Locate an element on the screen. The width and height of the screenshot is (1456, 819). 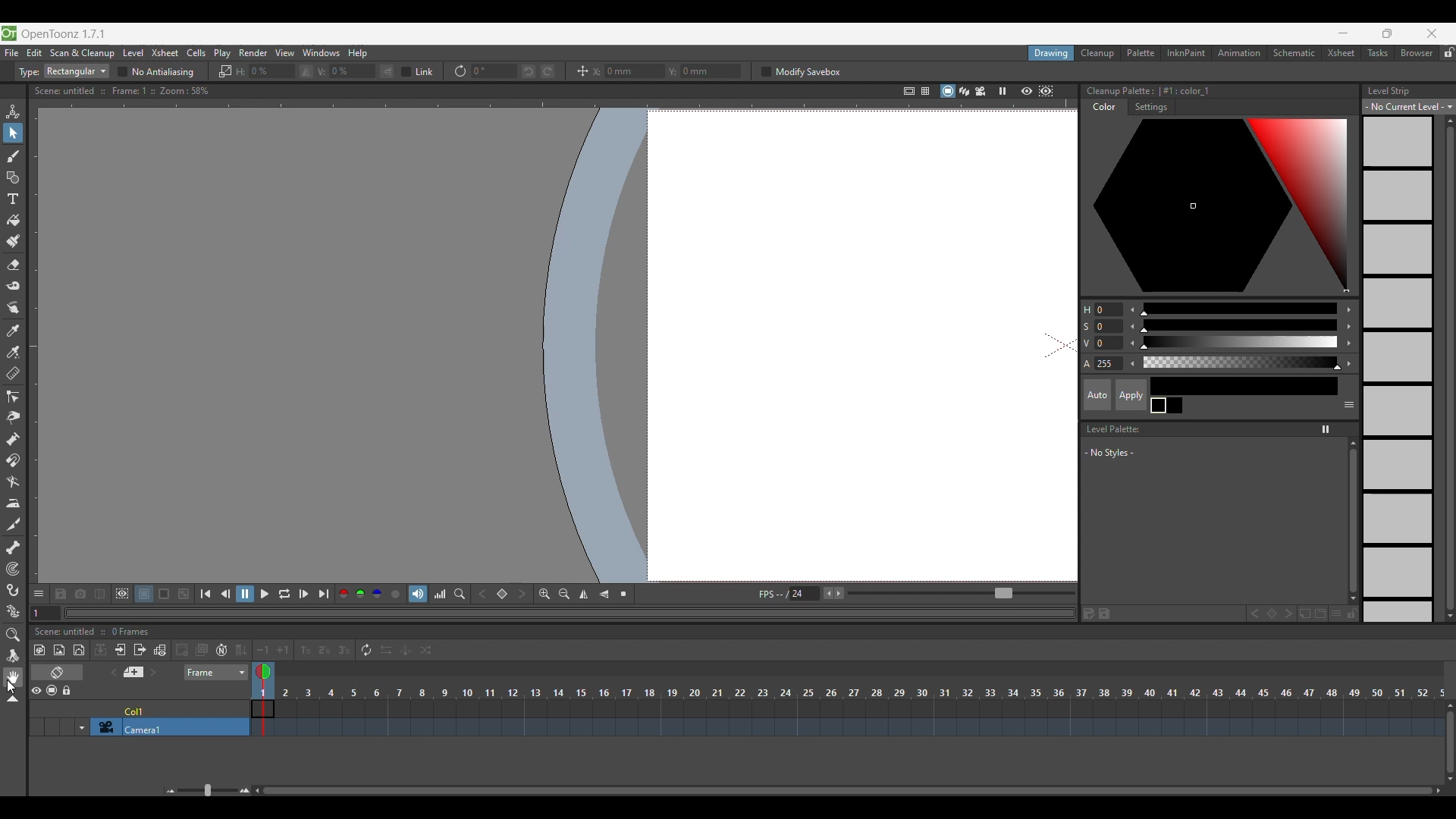
Click to select camera is located at coordinates (140, 728).